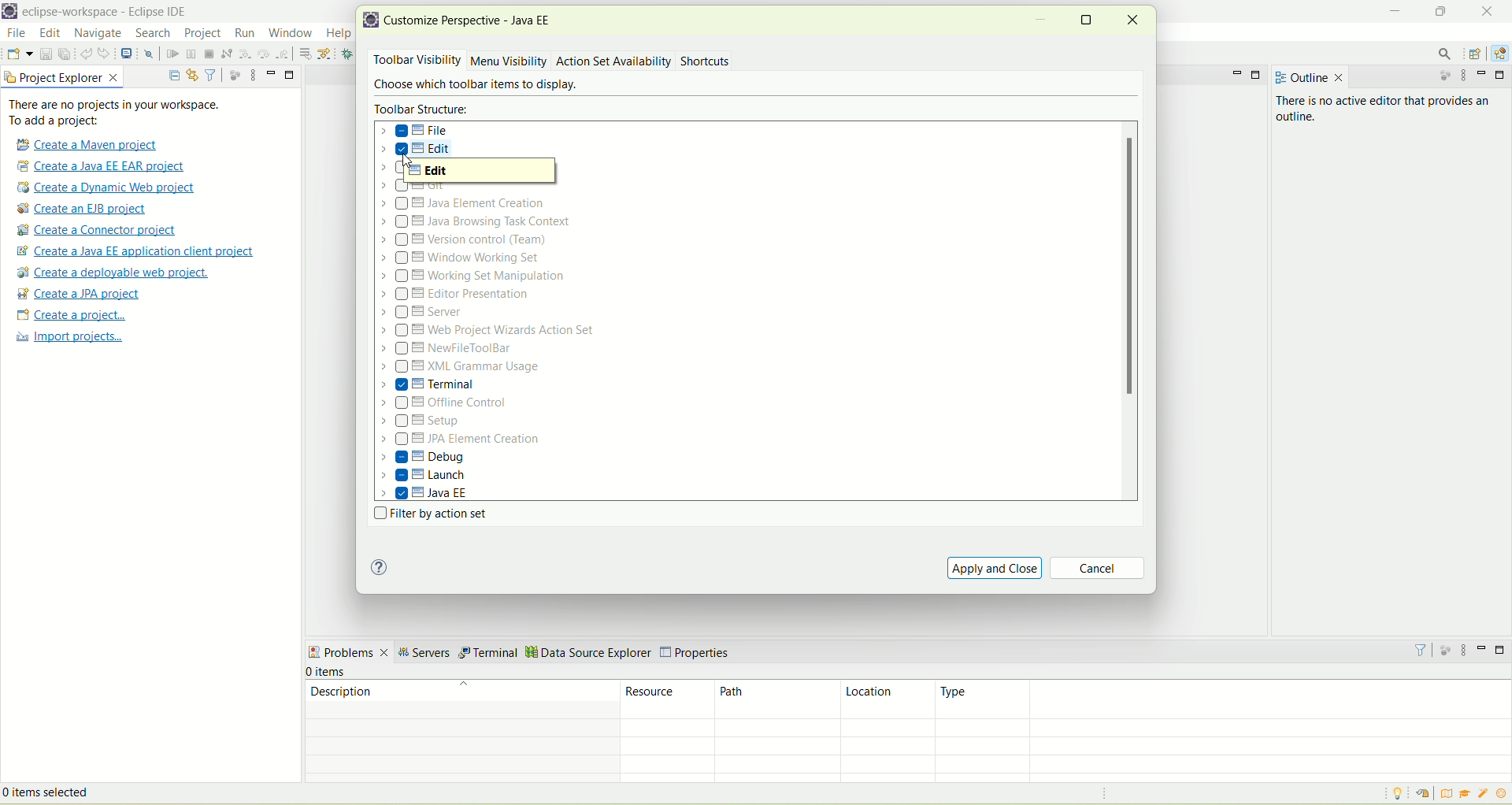  Describe the element at coordinates (172, 56) in the screenshot. I see `resume` at that location.